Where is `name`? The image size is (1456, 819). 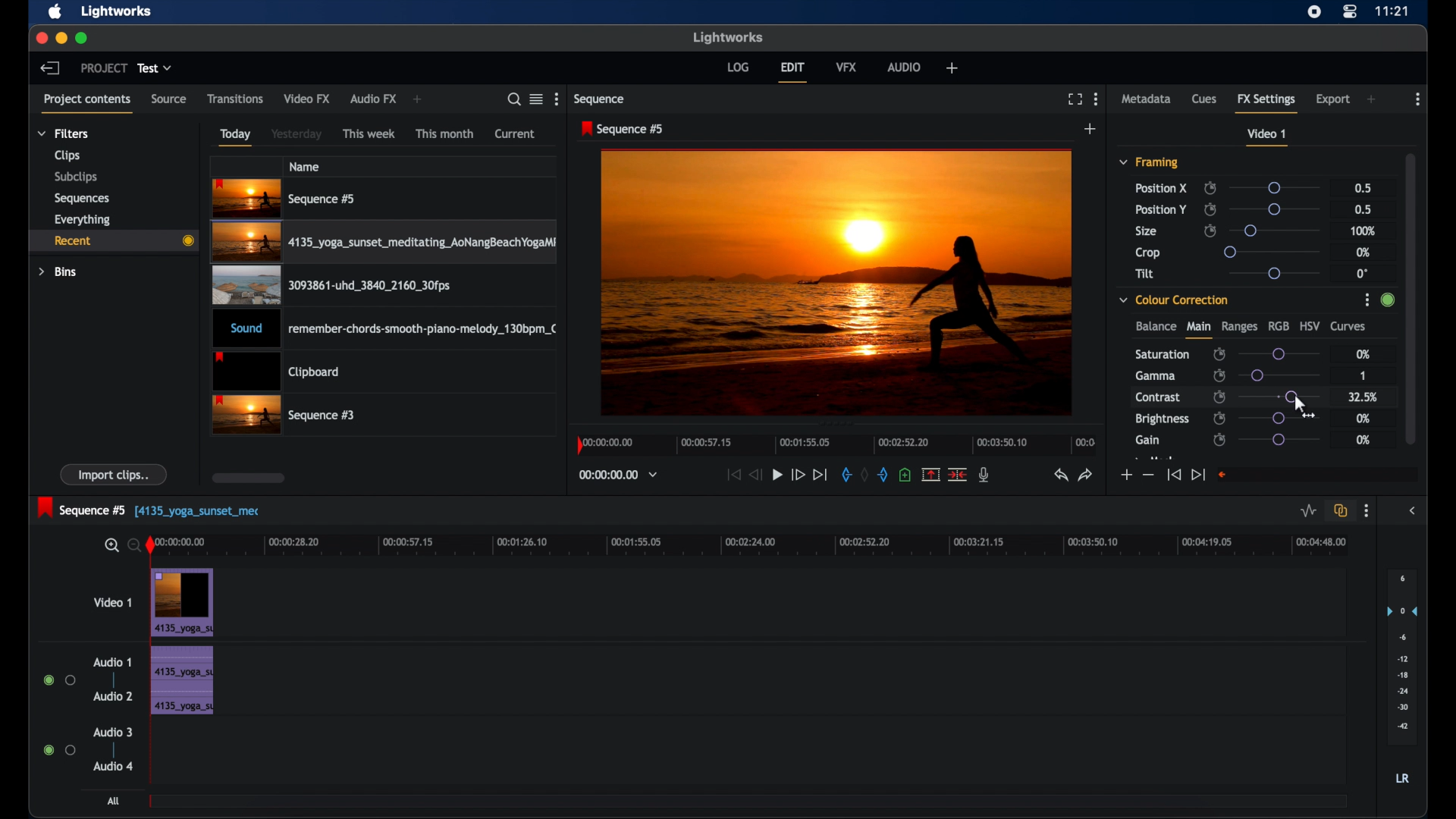 name is located at coordinates (306, 166).